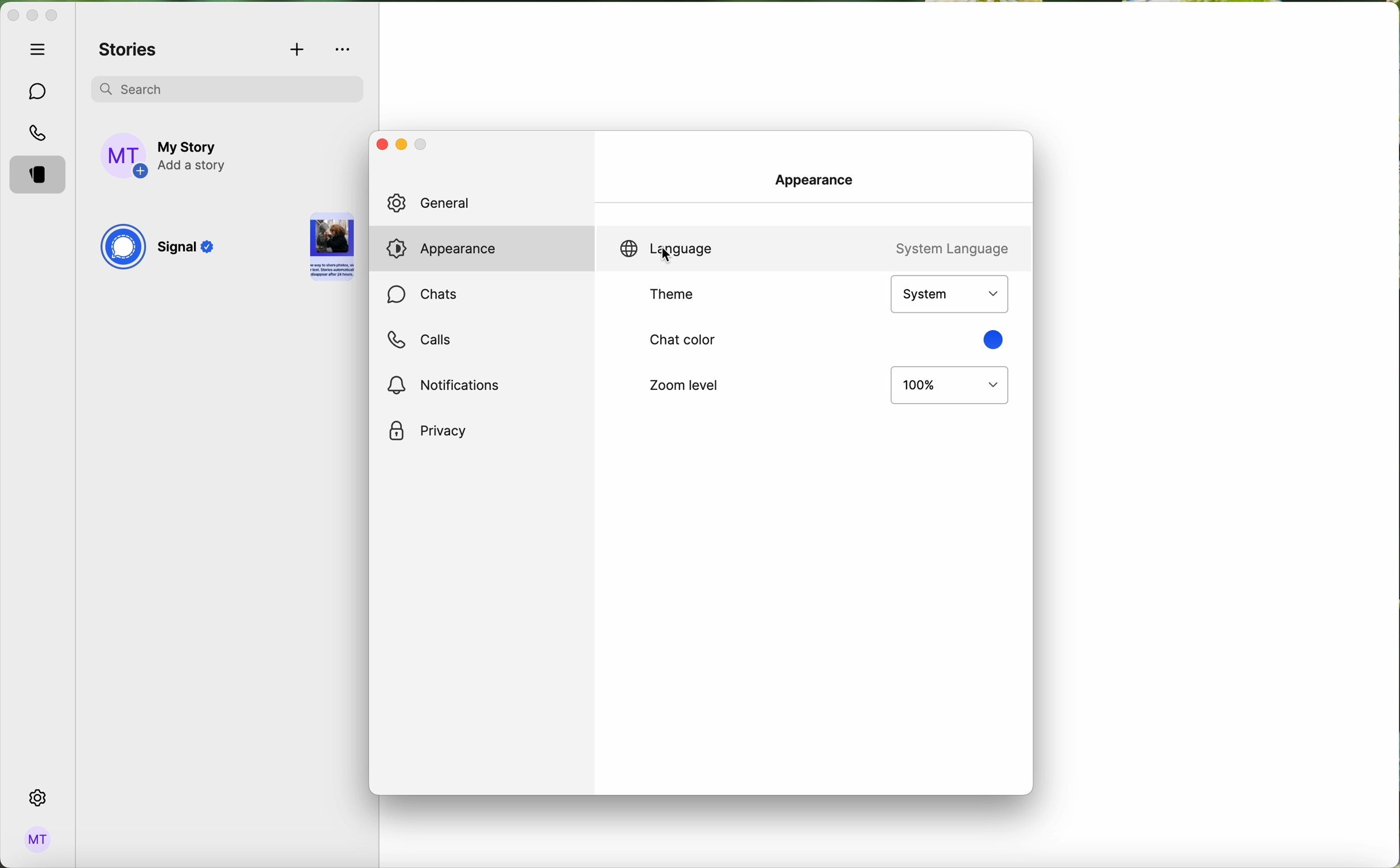 The image size is (1400, 868). I want to click on chats, so click(422, 296).